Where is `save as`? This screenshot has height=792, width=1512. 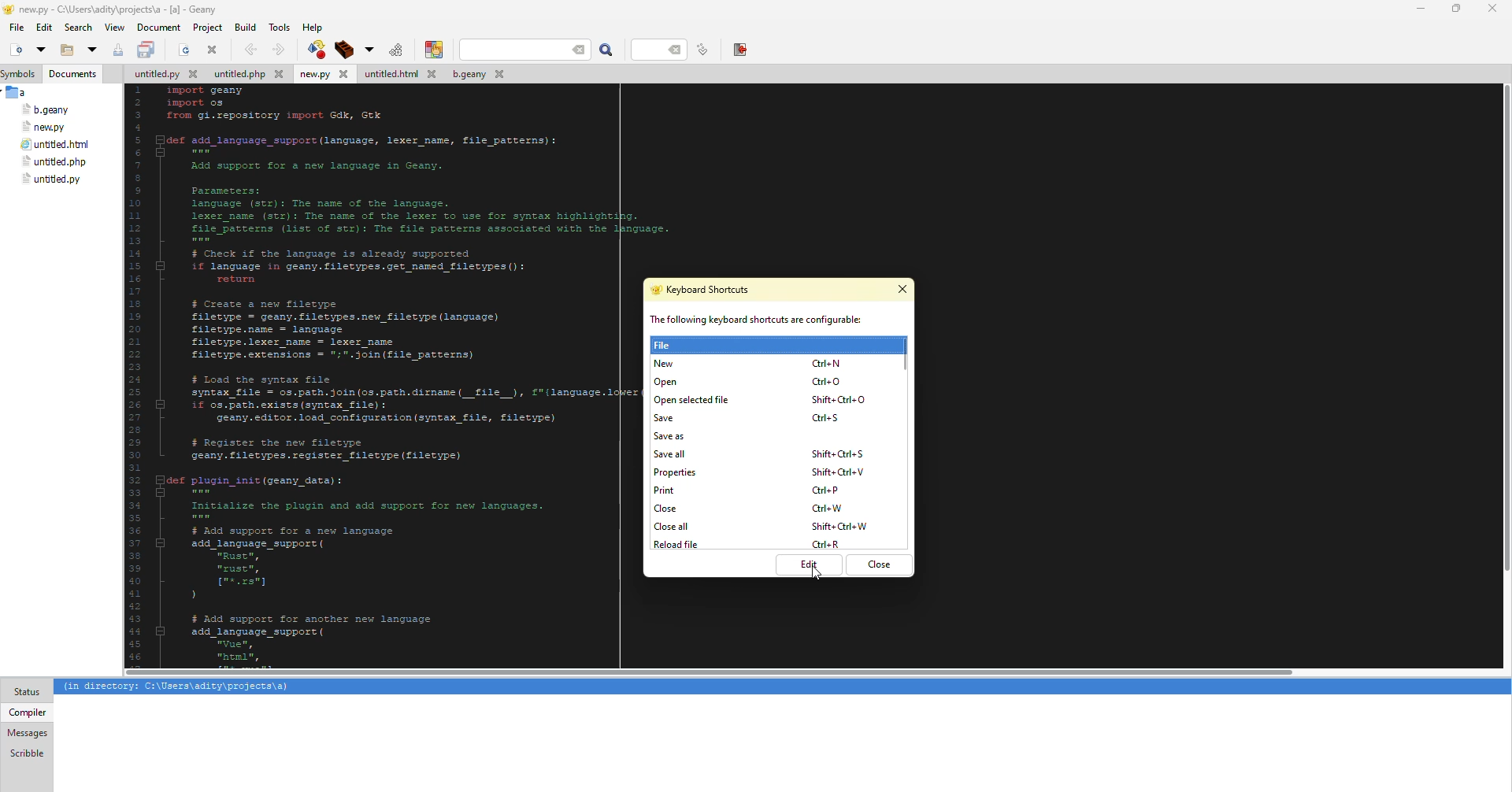 save as is located at coordinates (670, 435).